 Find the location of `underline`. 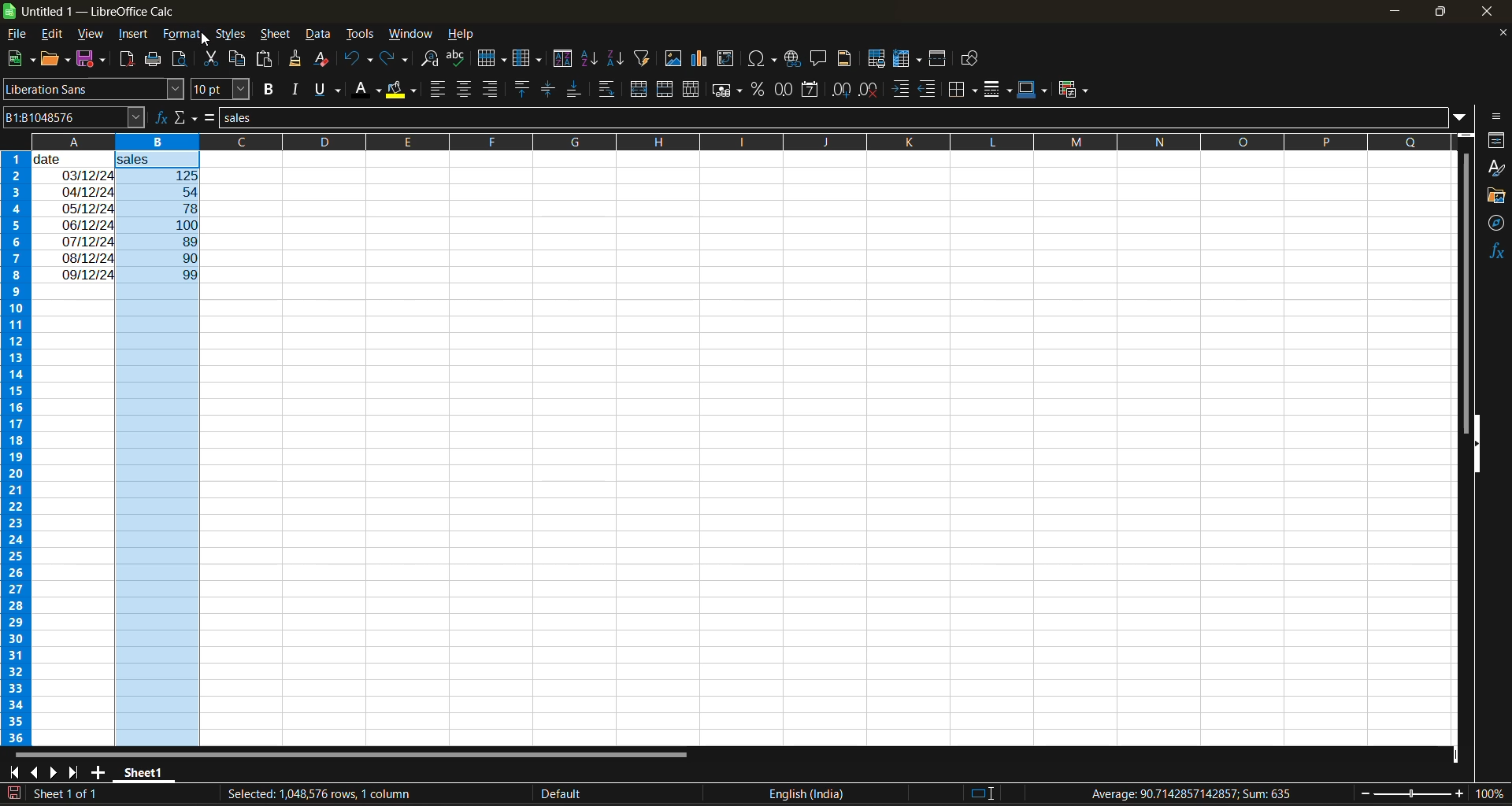

underline is located at coordinates (331, 90).